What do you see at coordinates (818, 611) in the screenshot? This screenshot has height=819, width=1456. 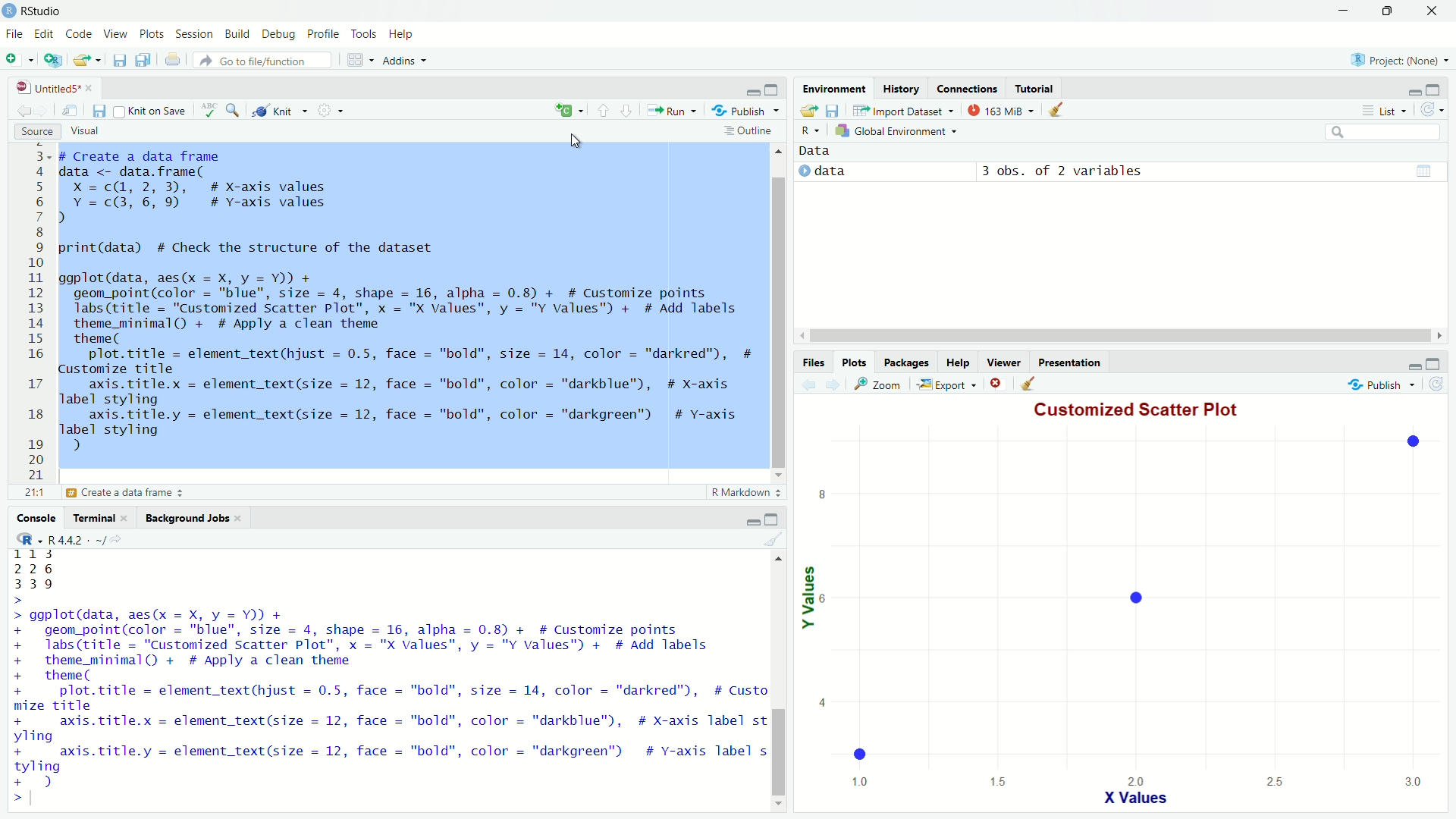 I see `Y values` at bounding box center [818, 611].